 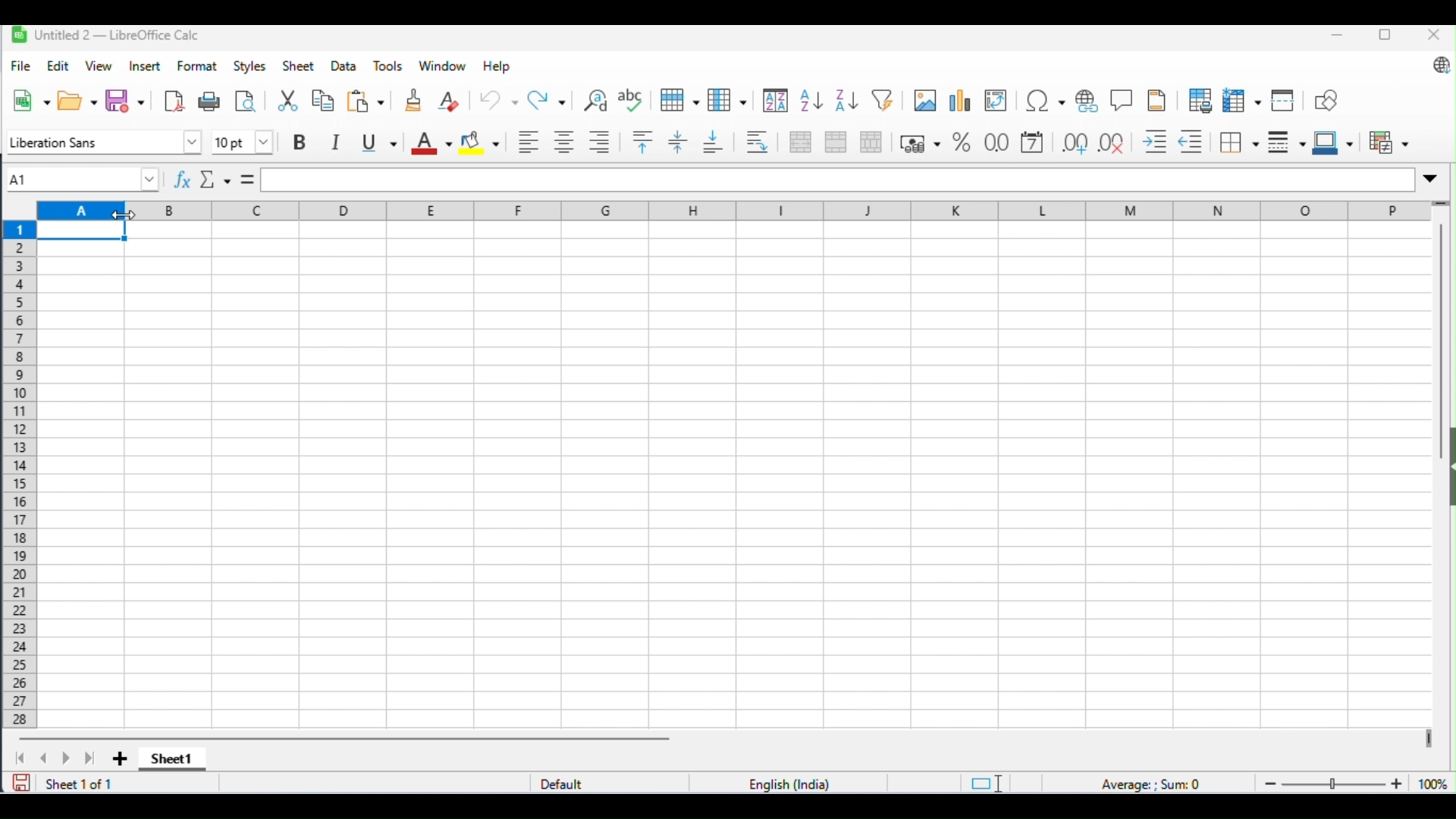 I want to click on conditional, so click(x=1387, y=140).